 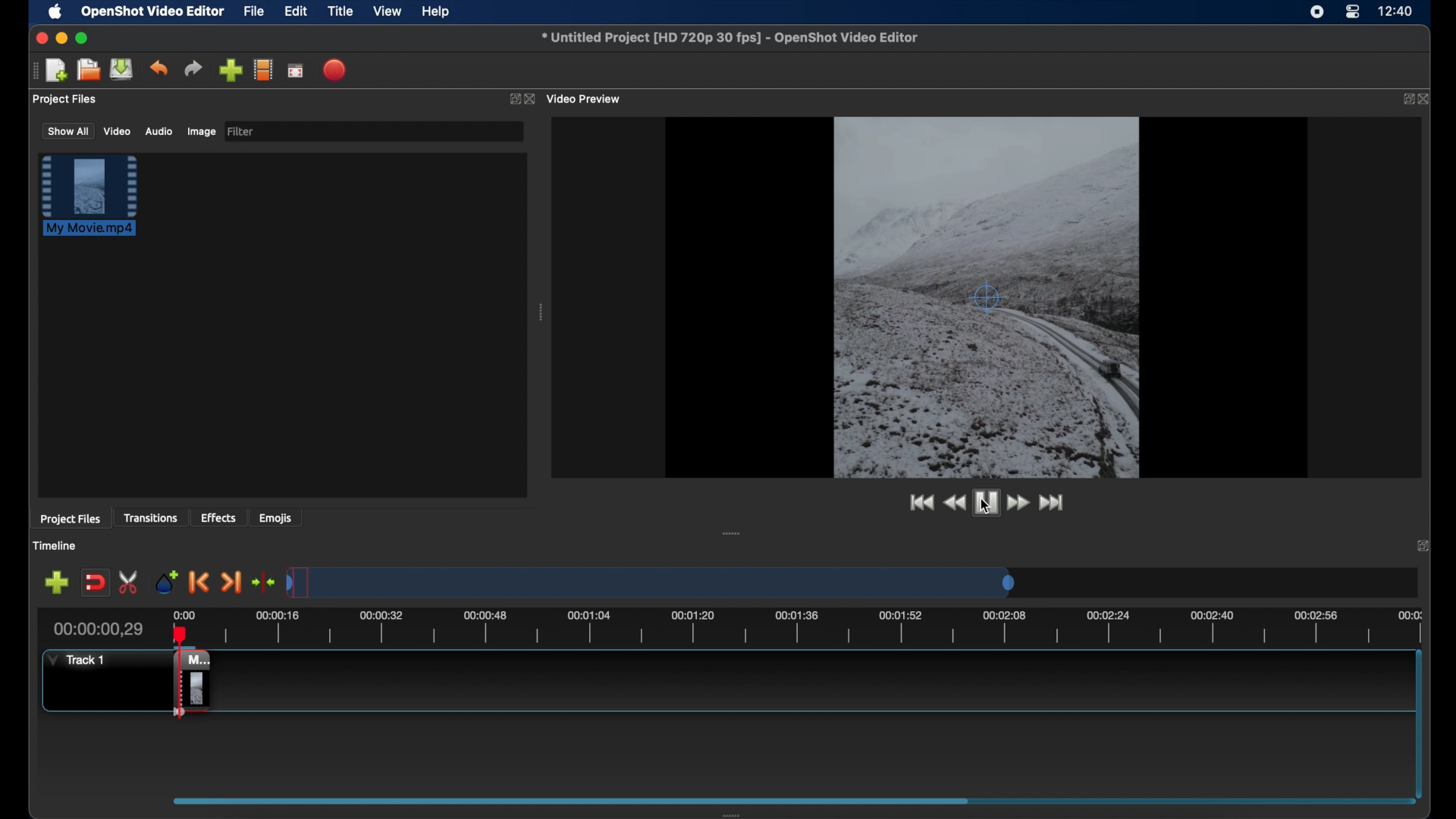 I want to click on export video, so click(x=336, y=70).